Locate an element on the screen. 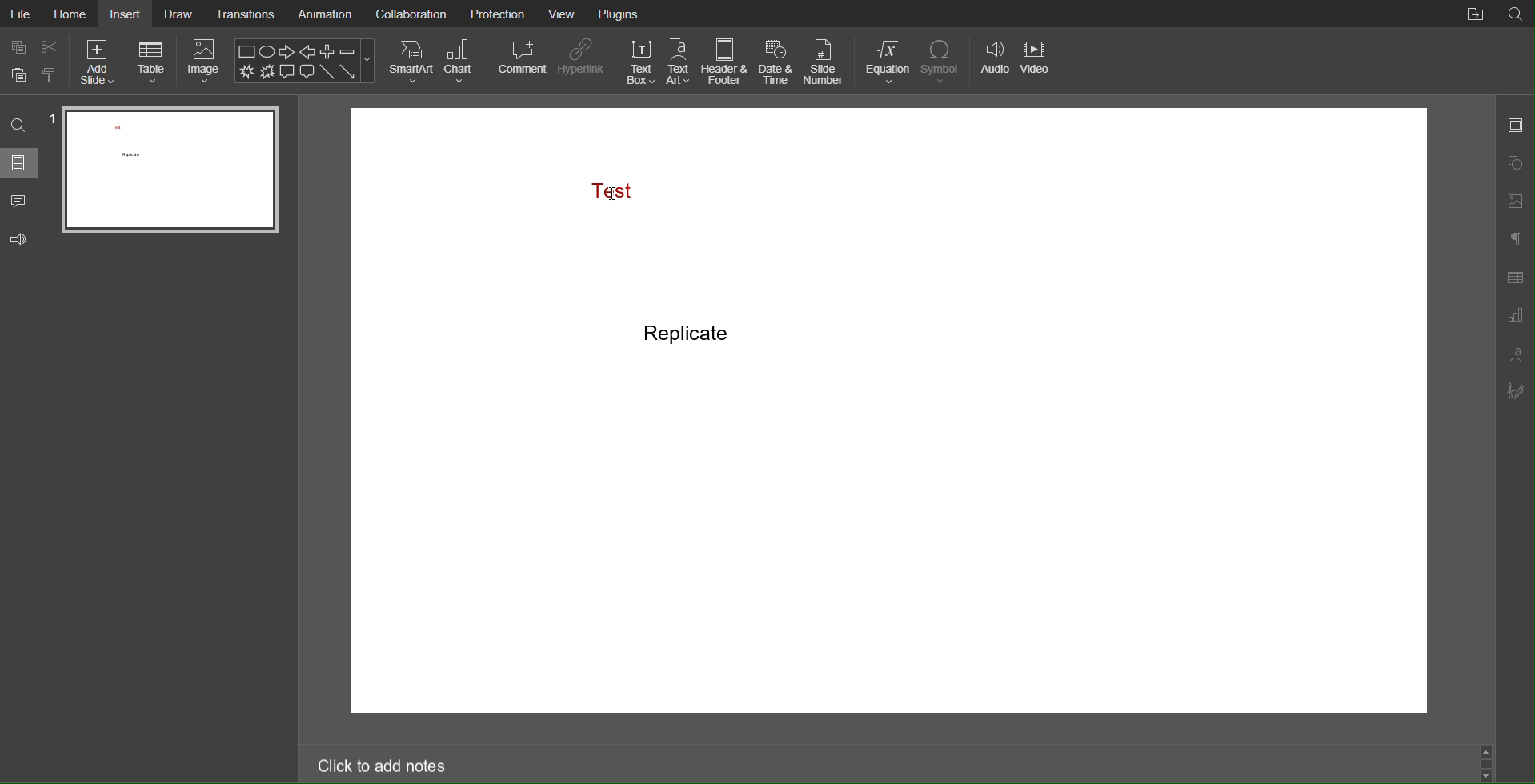 The height and width of the screenshot is (784, 1535). Search is located at coordinates (21, 123).